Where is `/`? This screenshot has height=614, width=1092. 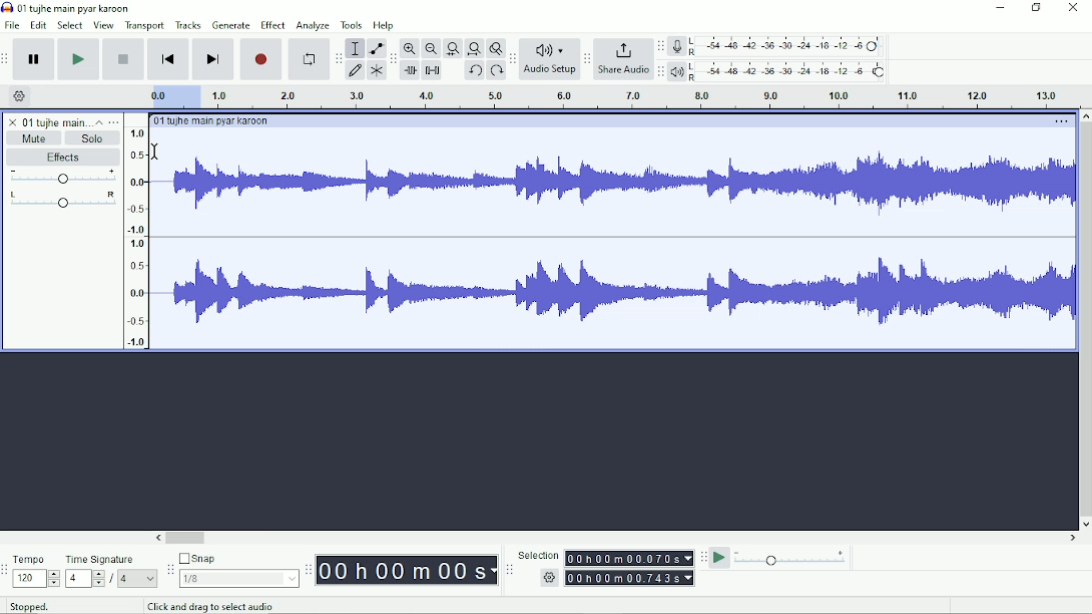 / is located at coordinates (113, 579).